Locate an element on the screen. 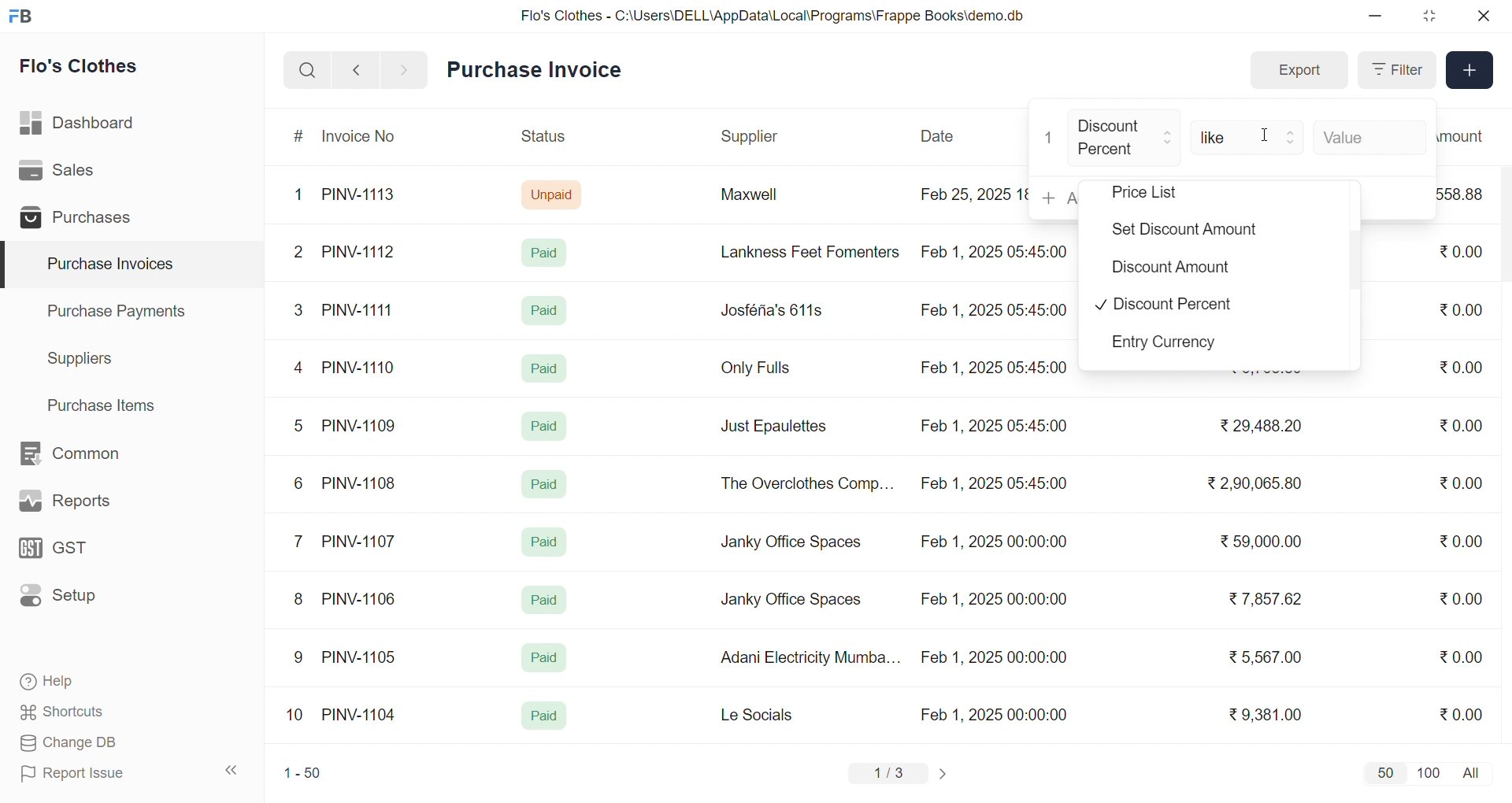 The width and height of the screenshot is (1512, 803). navigate backward is located at coordinates (356, 69).